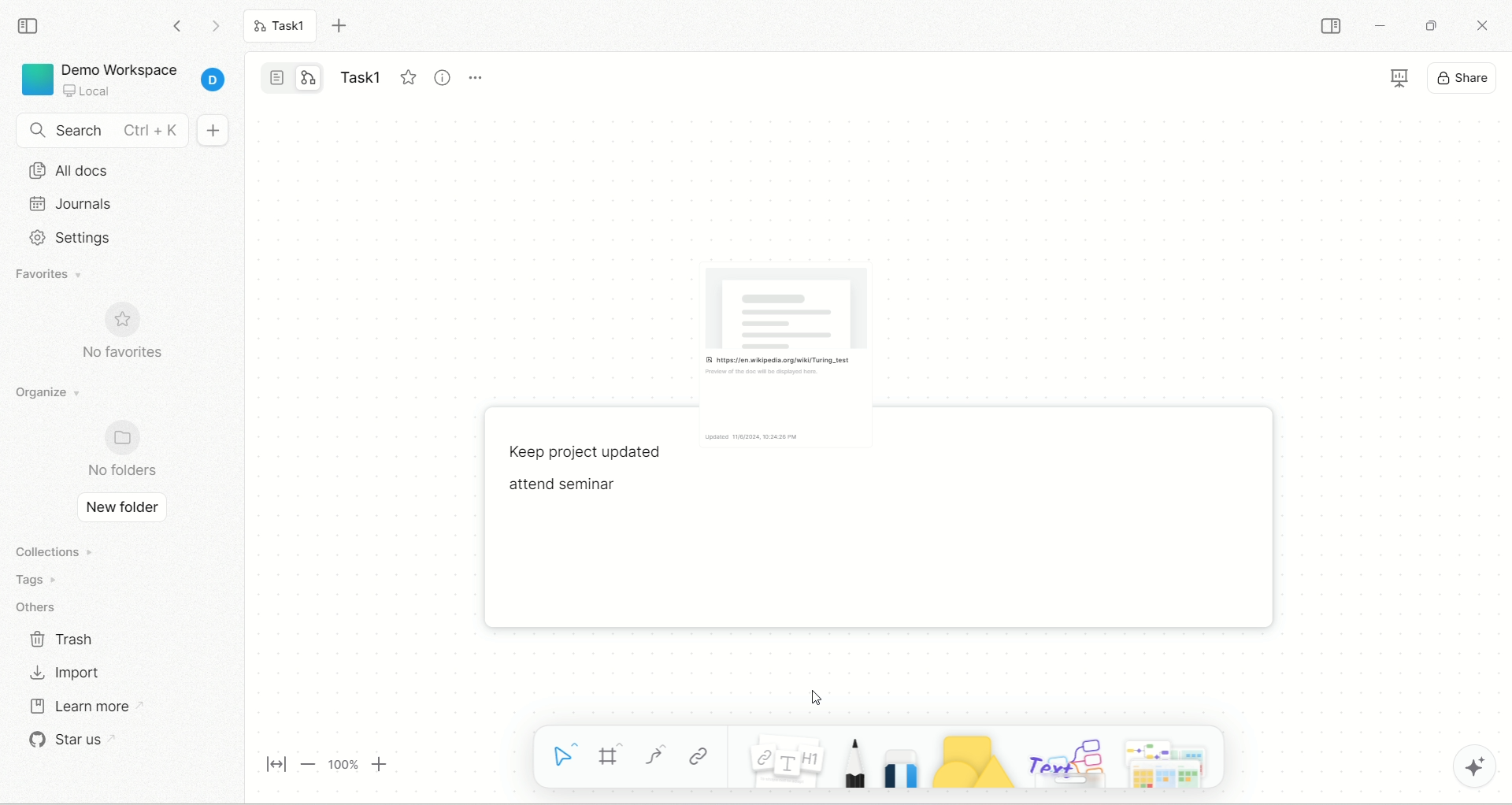 This screenshot has height=805, width=1512. I want to click on page zoom, so click(322, 764).